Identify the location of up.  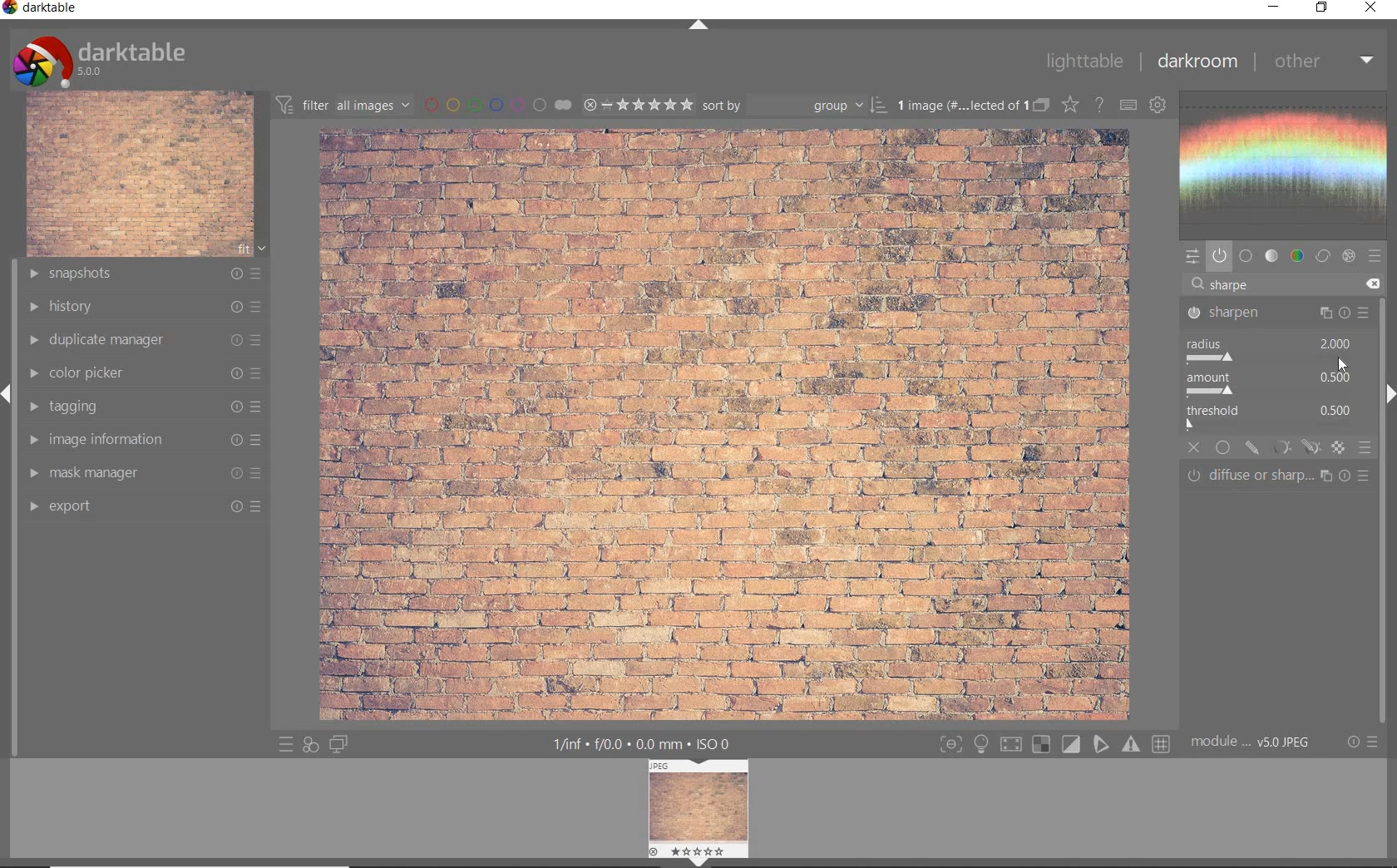
(700, 26).